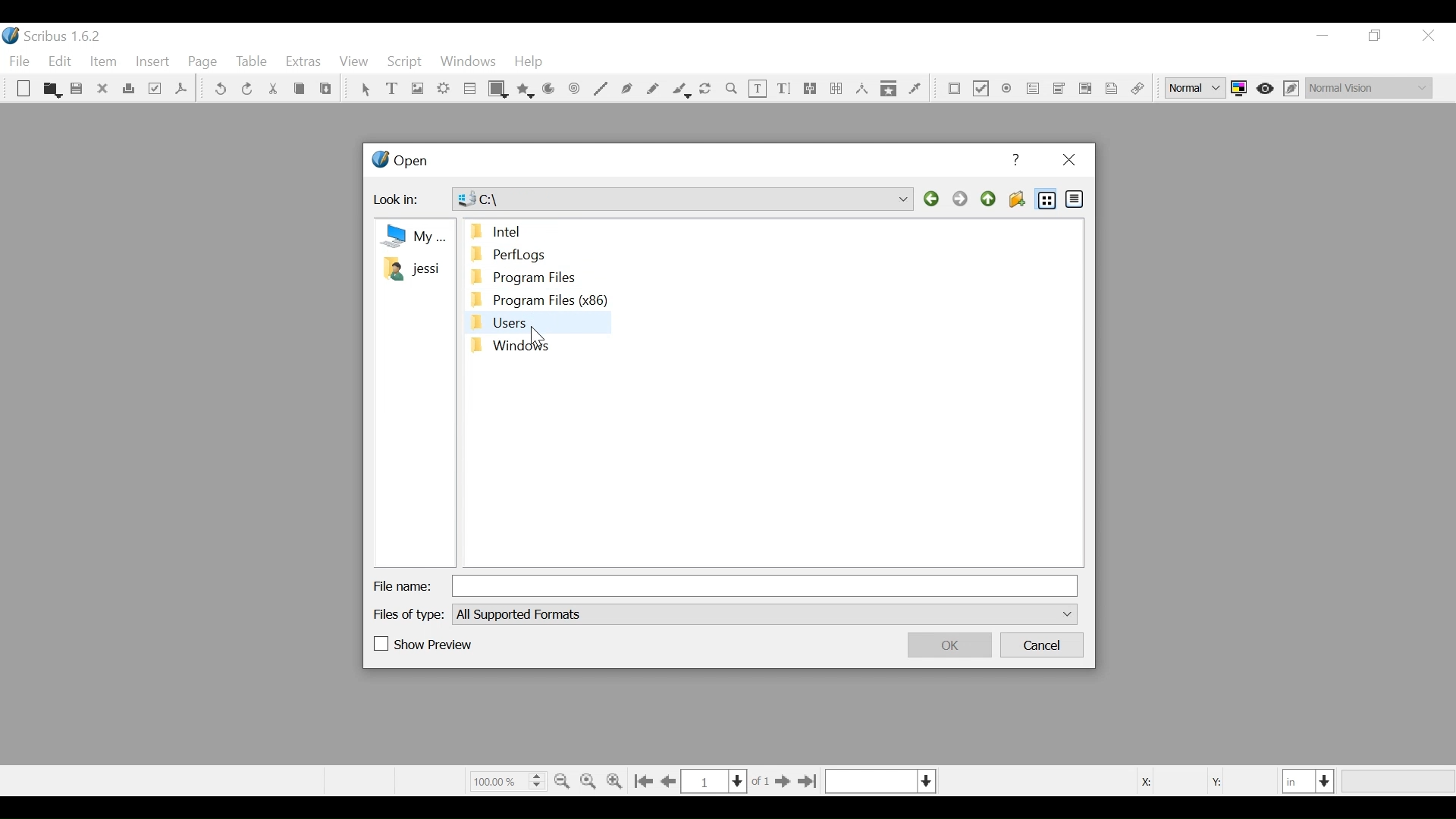 The image size is (1456, 819). What do you see at coordinates (353, 63) in the screenshot?
I see `View` at bounding box center [353, 63].